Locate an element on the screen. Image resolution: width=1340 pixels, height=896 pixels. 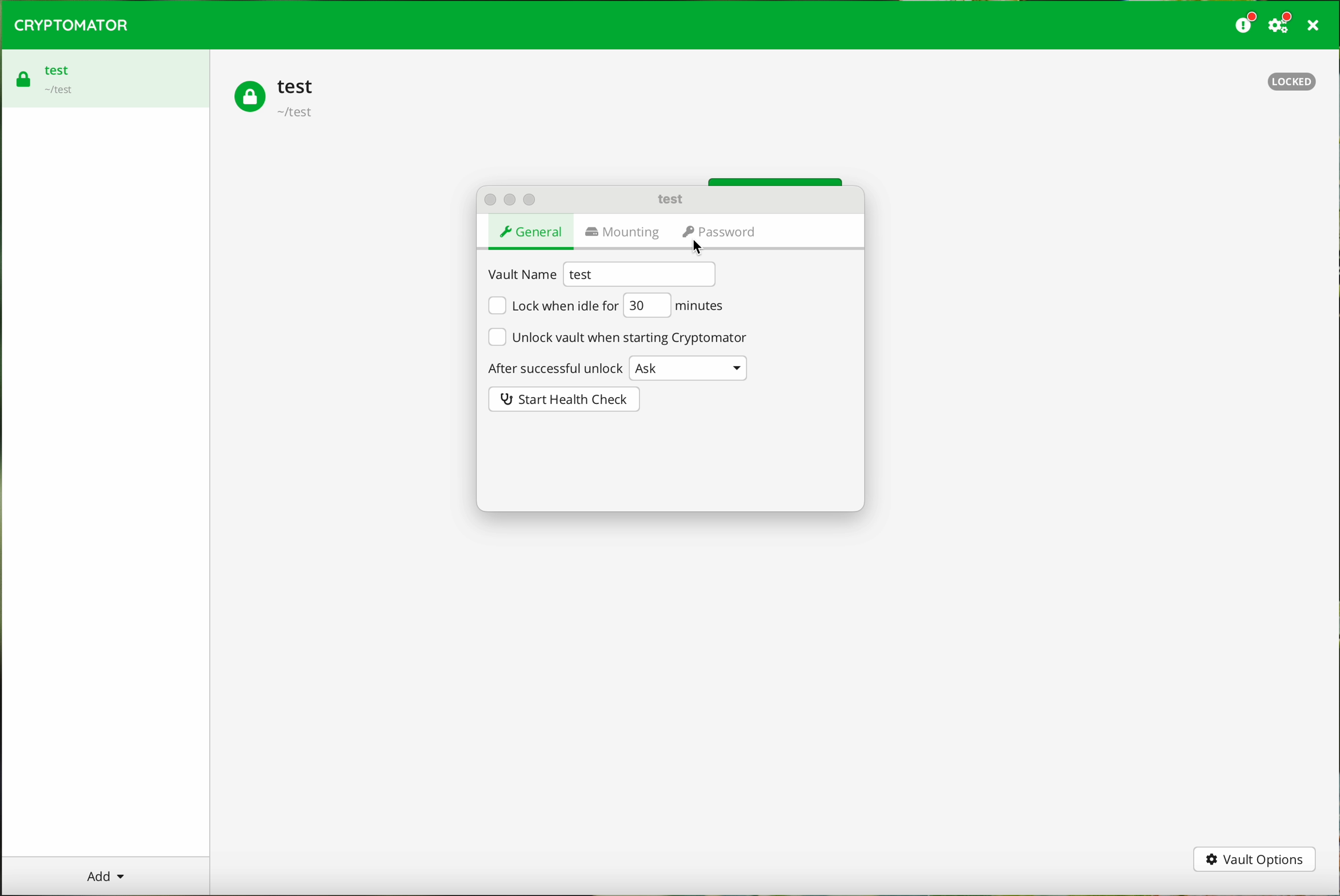
Ask is located at coordinates (688, 367).